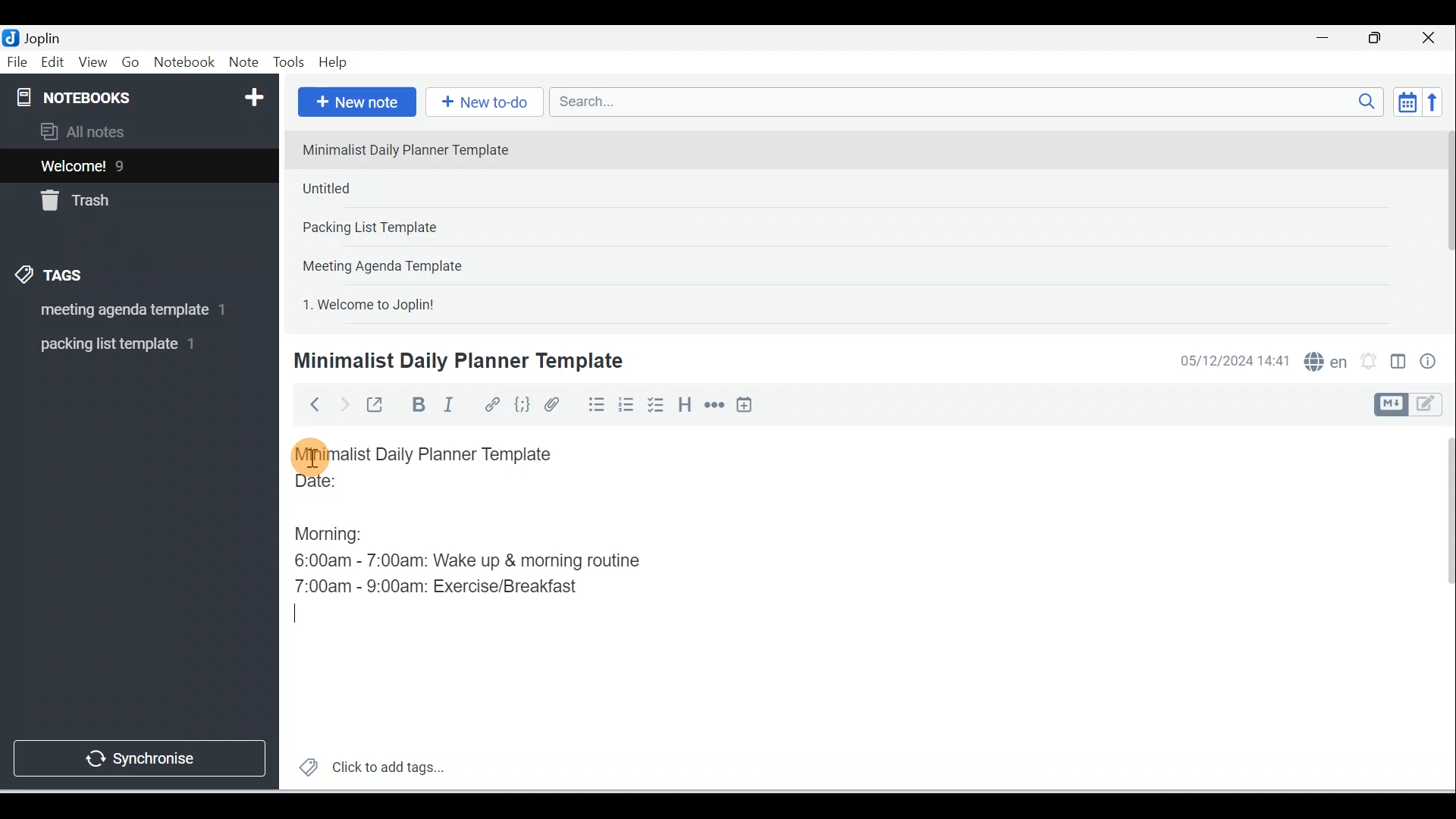 The height and width of the screenshot is (819, 1456). I want to click on Note 5, so click(424, 303).